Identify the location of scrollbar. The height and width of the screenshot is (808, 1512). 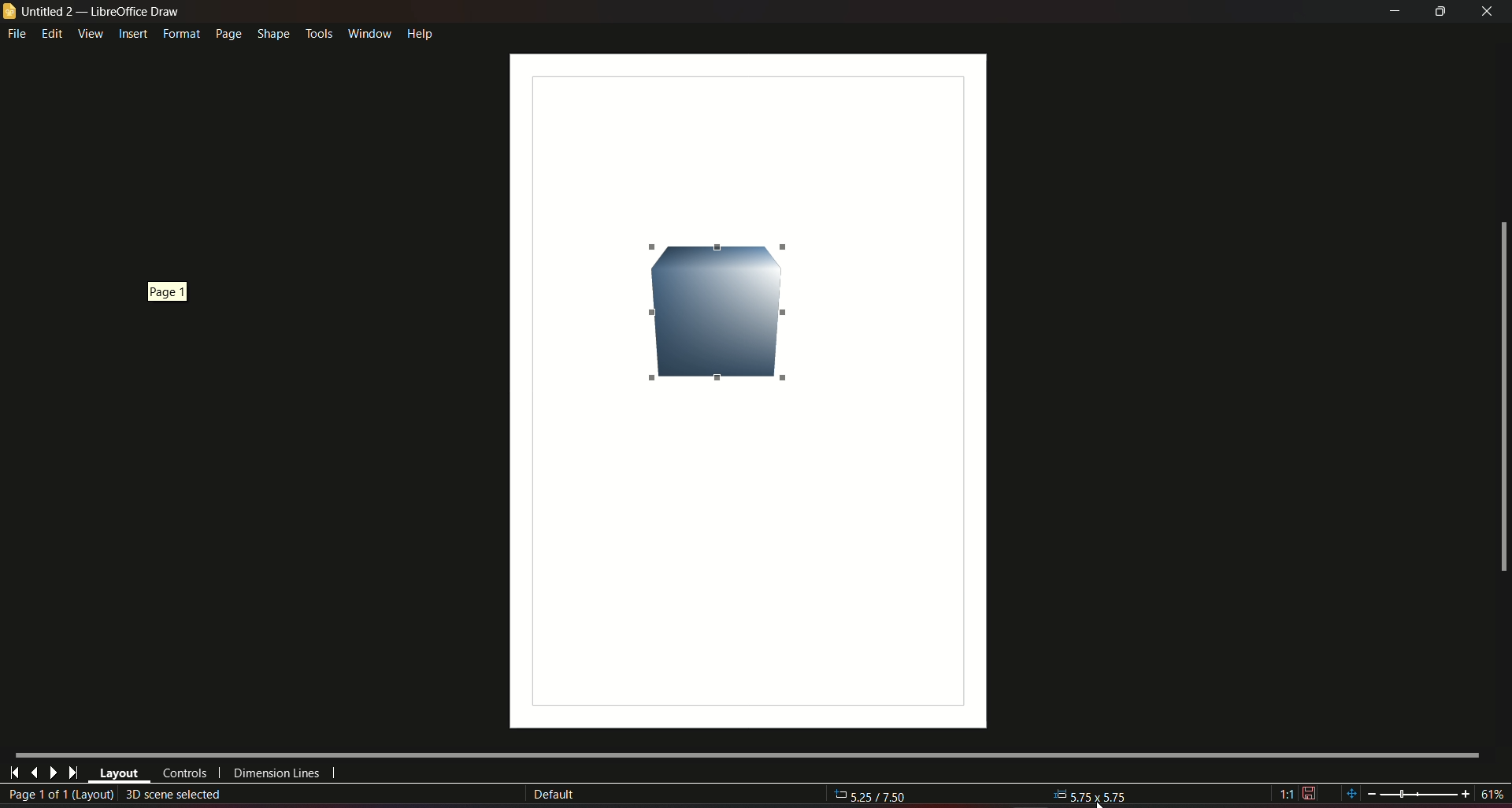
(1502, 398).